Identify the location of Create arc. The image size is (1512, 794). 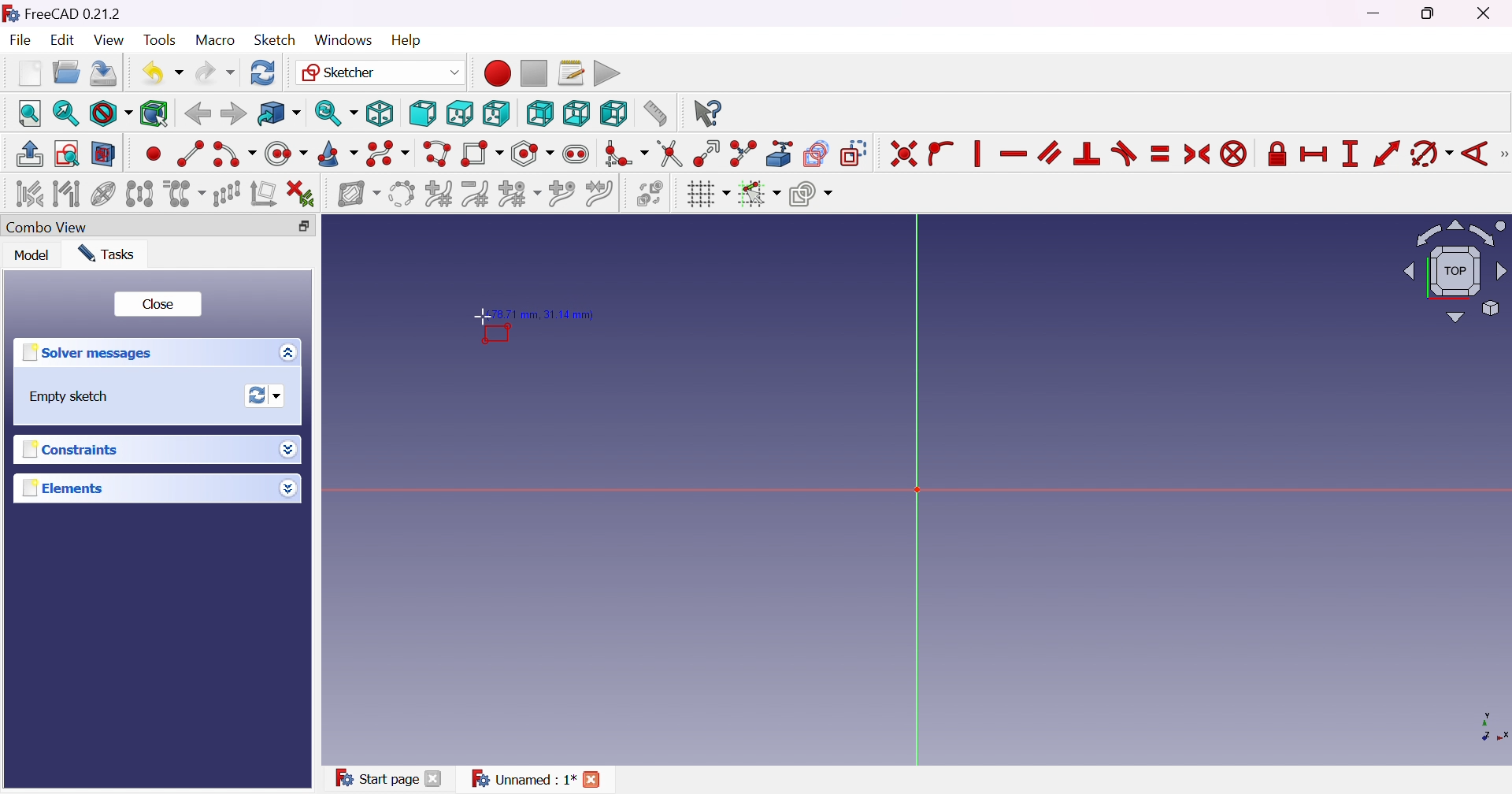
(233, 157).